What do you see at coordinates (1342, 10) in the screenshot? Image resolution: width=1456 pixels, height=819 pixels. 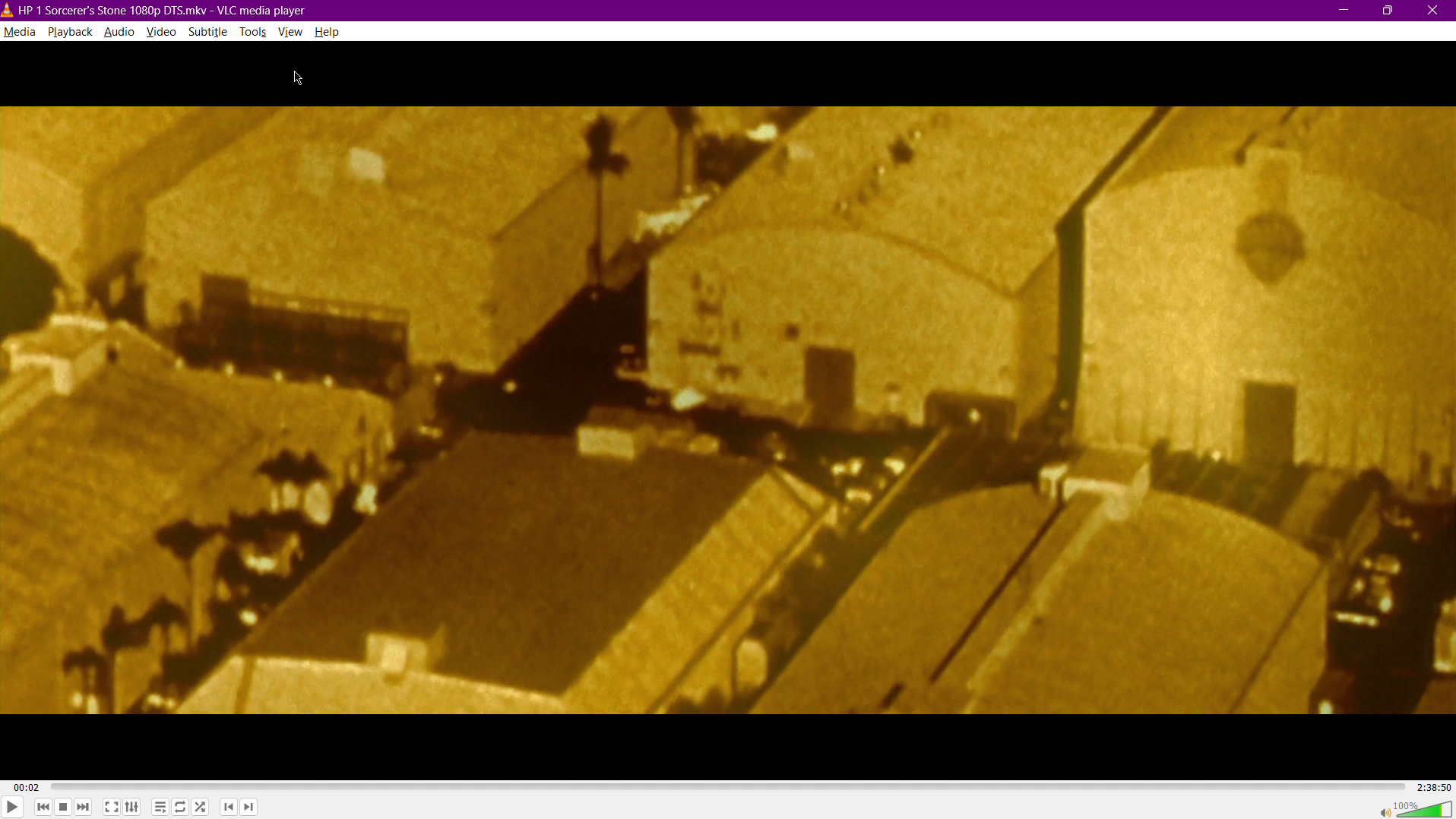 I see `Minimize` at bounding box center [1342, 10].